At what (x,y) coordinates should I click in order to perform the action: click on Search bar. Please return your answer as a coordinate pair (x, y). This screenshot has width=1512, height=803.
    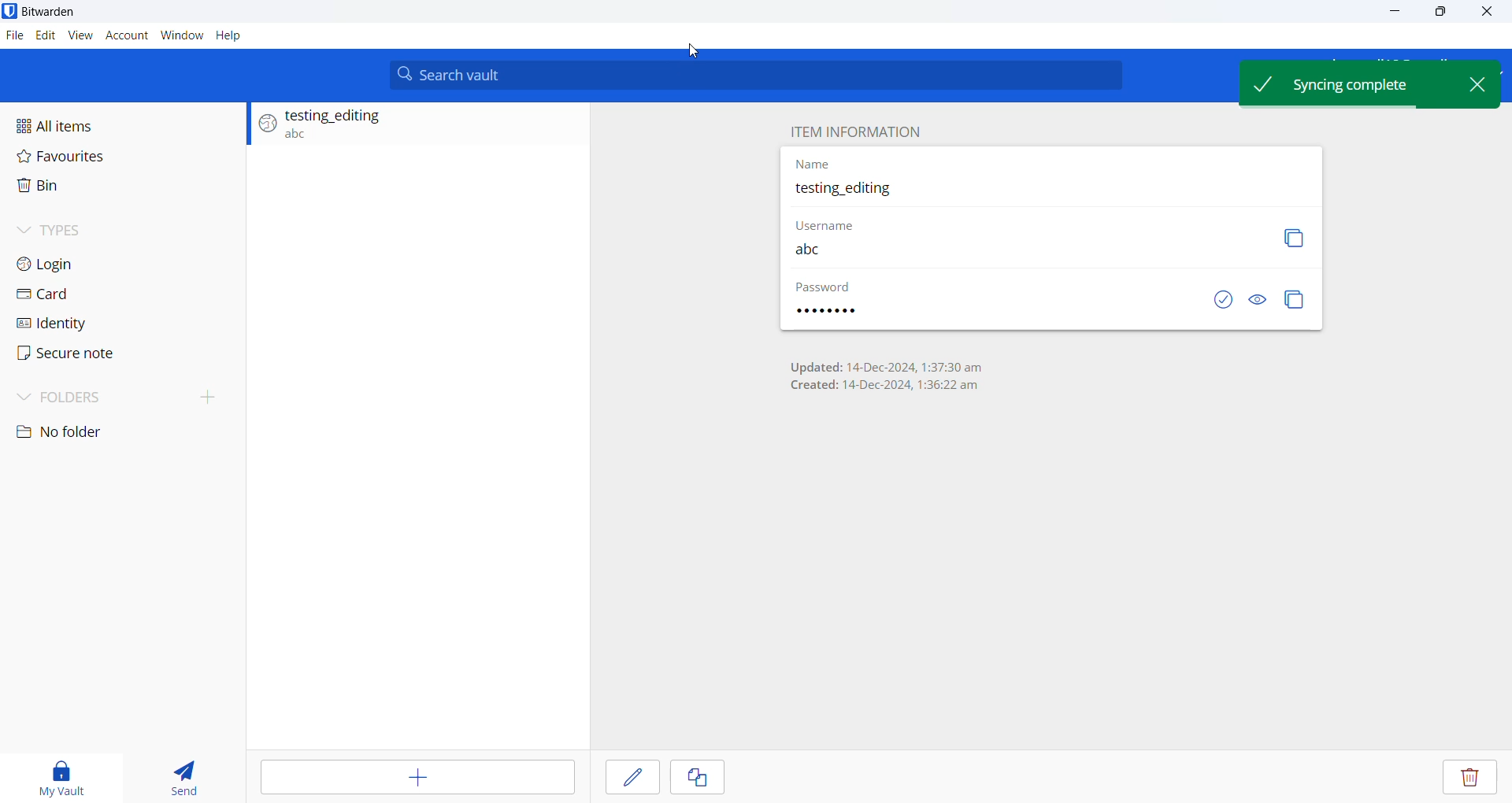
    Looking at the image, I should click on (757, 76).